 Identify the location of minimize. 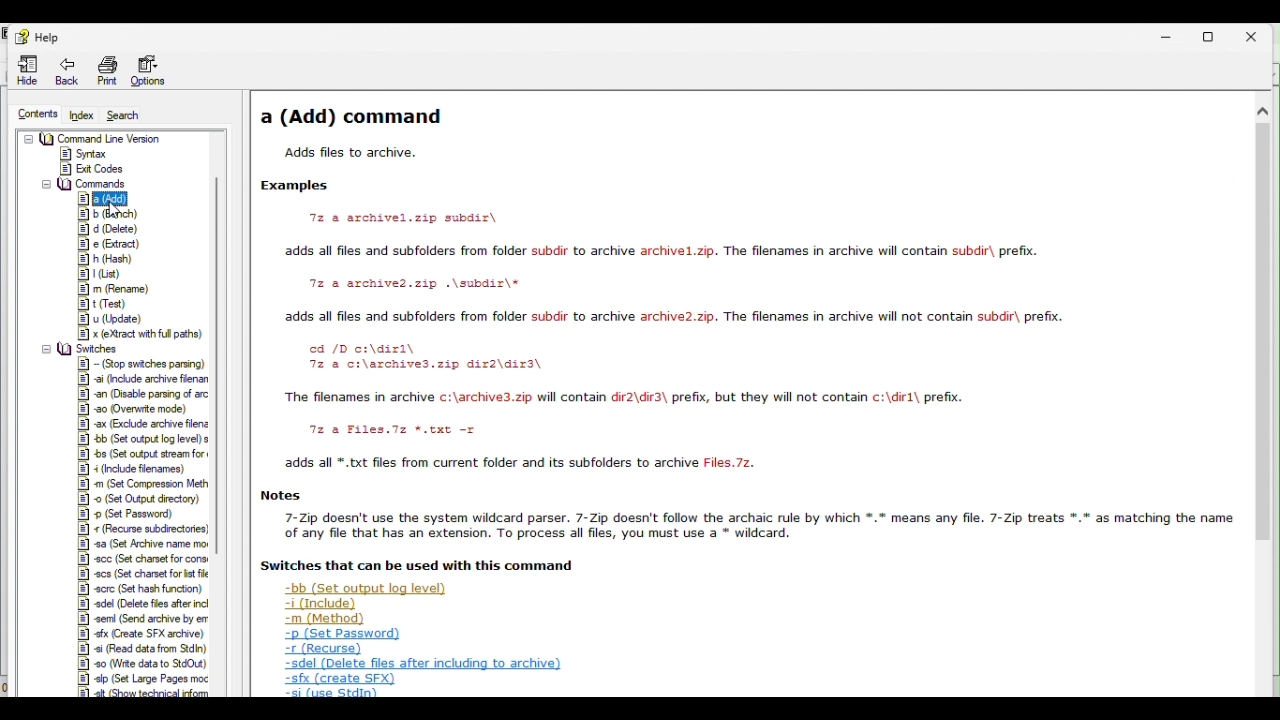
(1170, 39).